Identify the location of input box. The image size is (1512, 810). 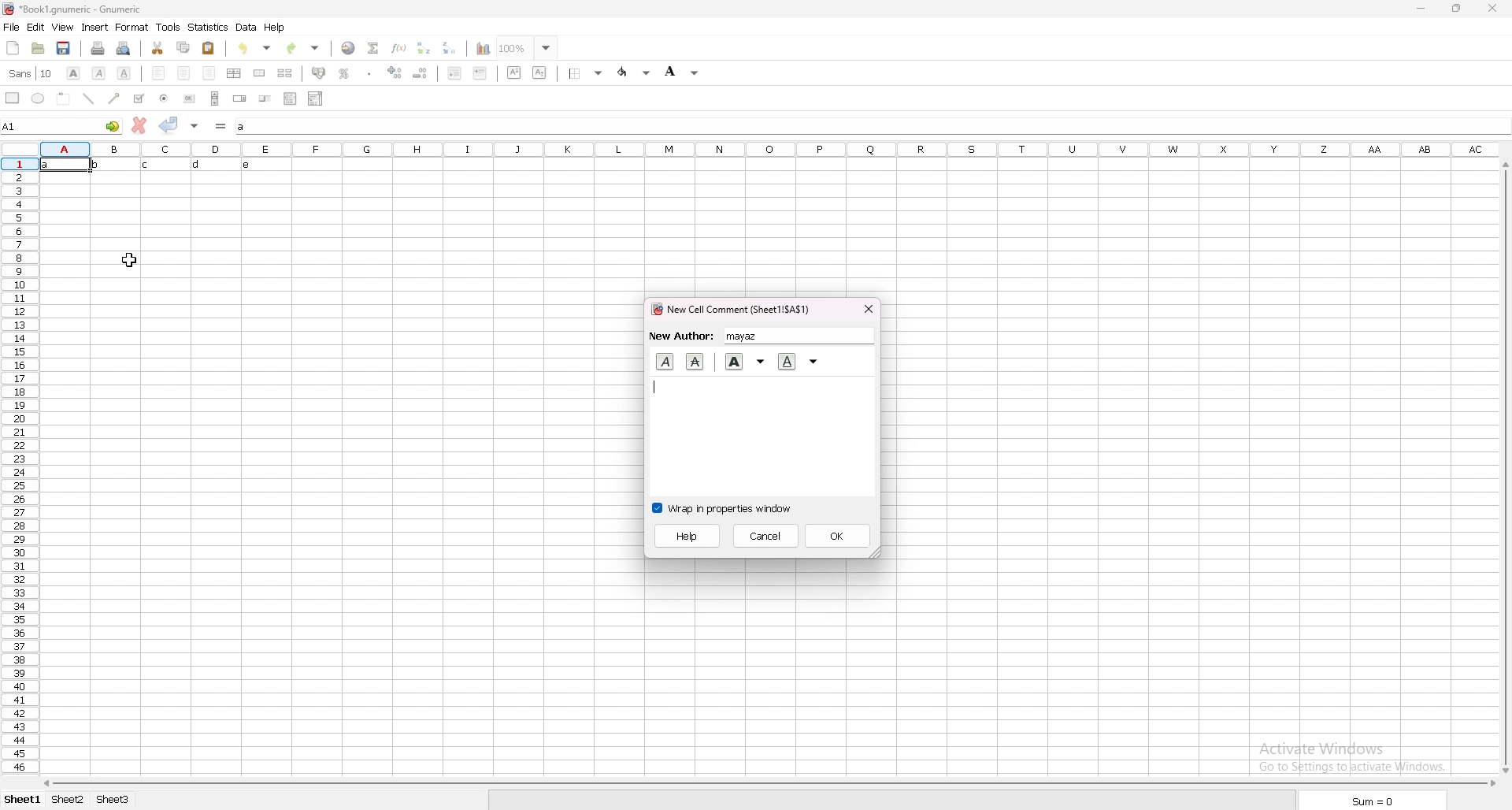
(872, 127).